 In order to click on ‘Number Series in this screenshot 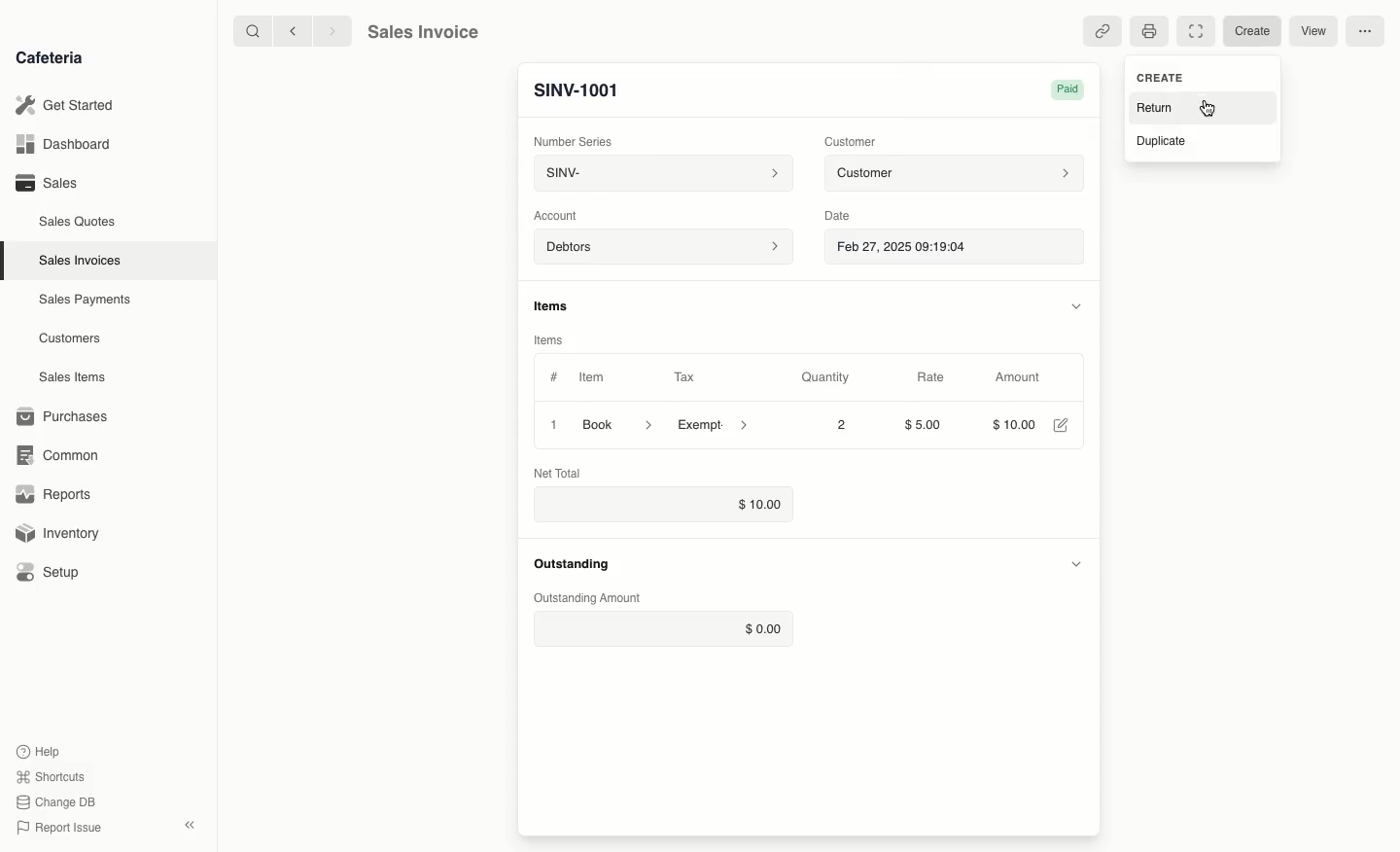, I will do `click(573, 139)`.